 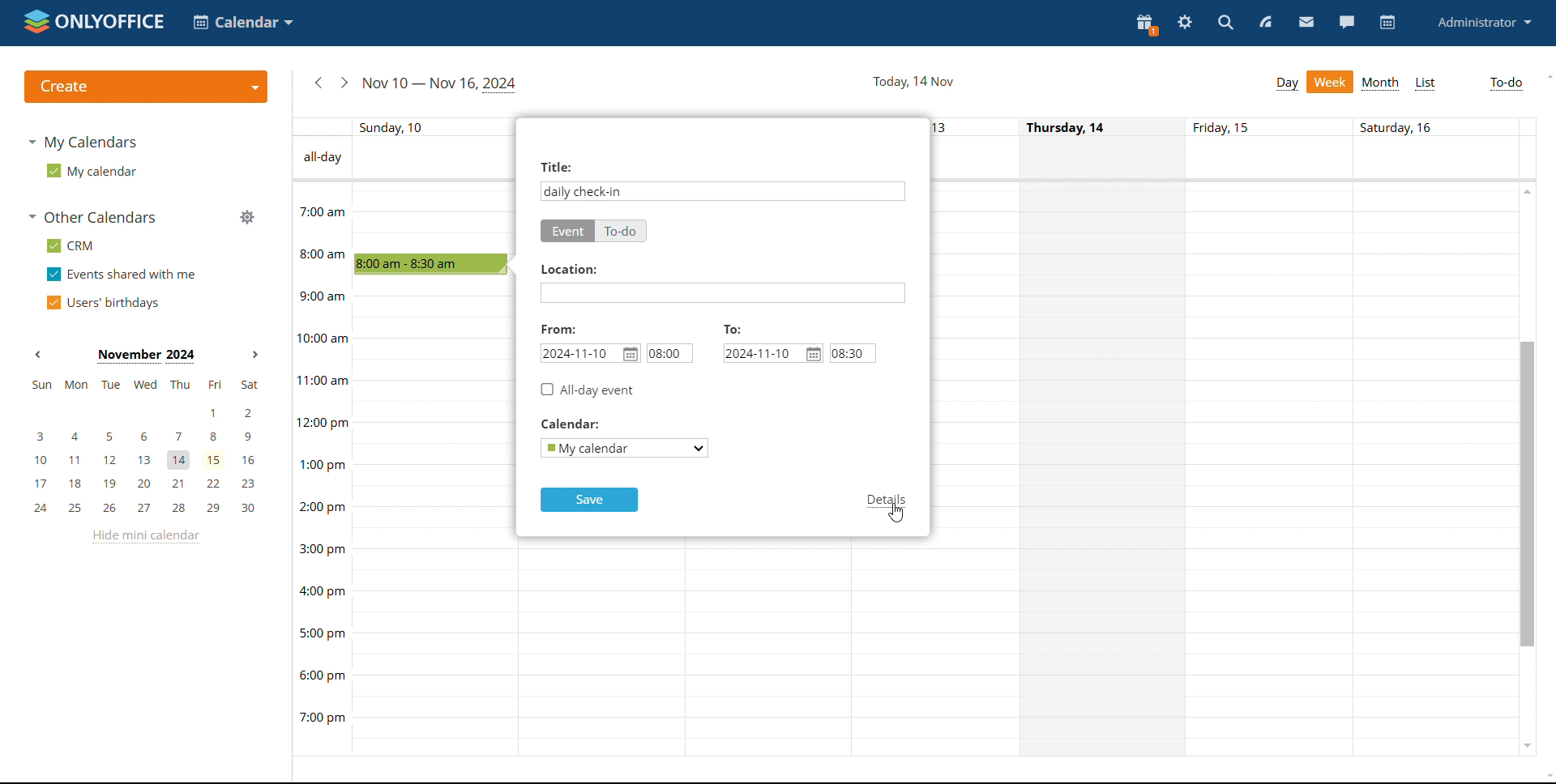 I want to click on previous month, so click(x=37, y=356).